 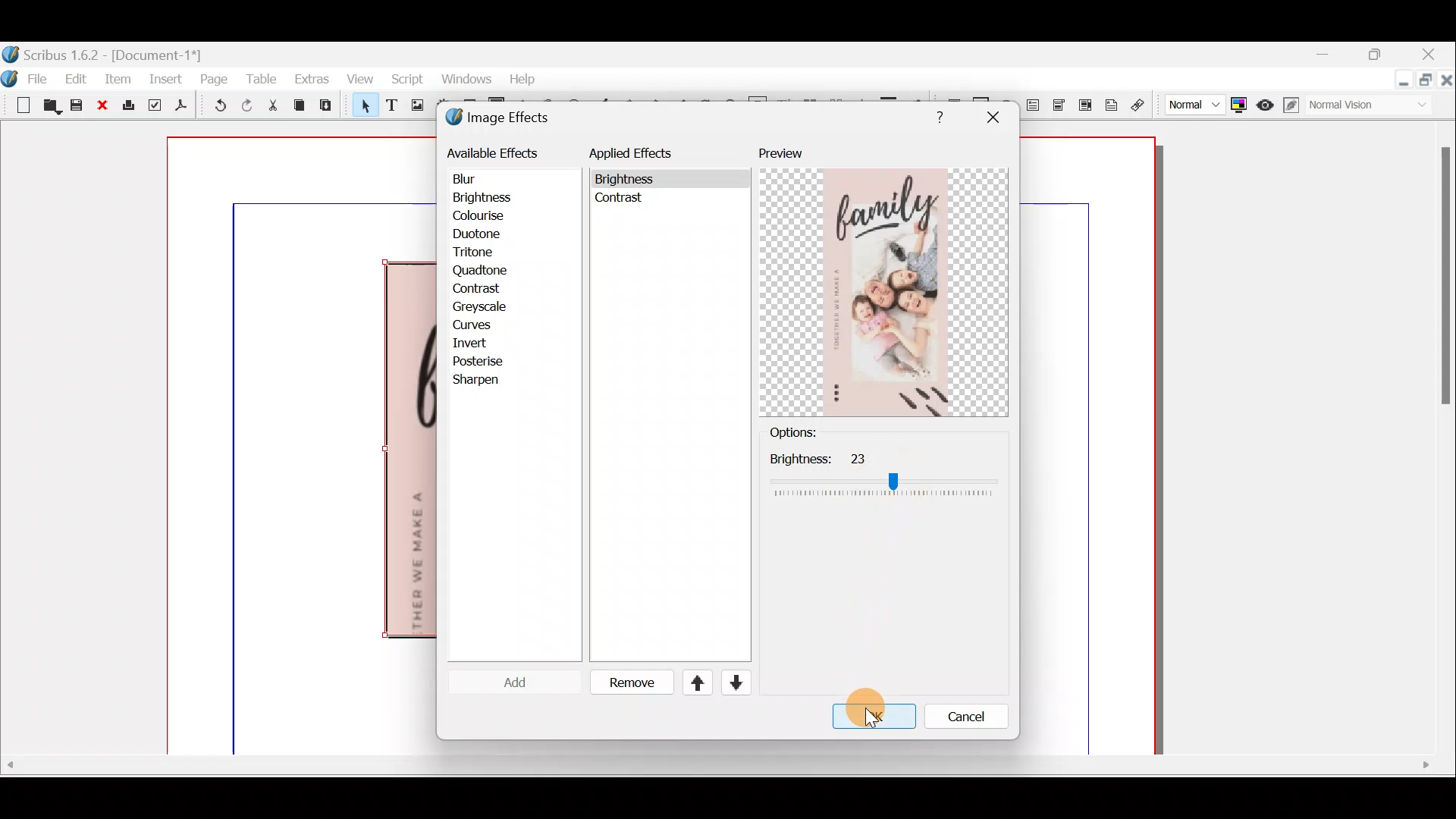 What do you see at coordinates (300, 105) in the screenshot?
I see `Copy` at bounding box center [300, 105].